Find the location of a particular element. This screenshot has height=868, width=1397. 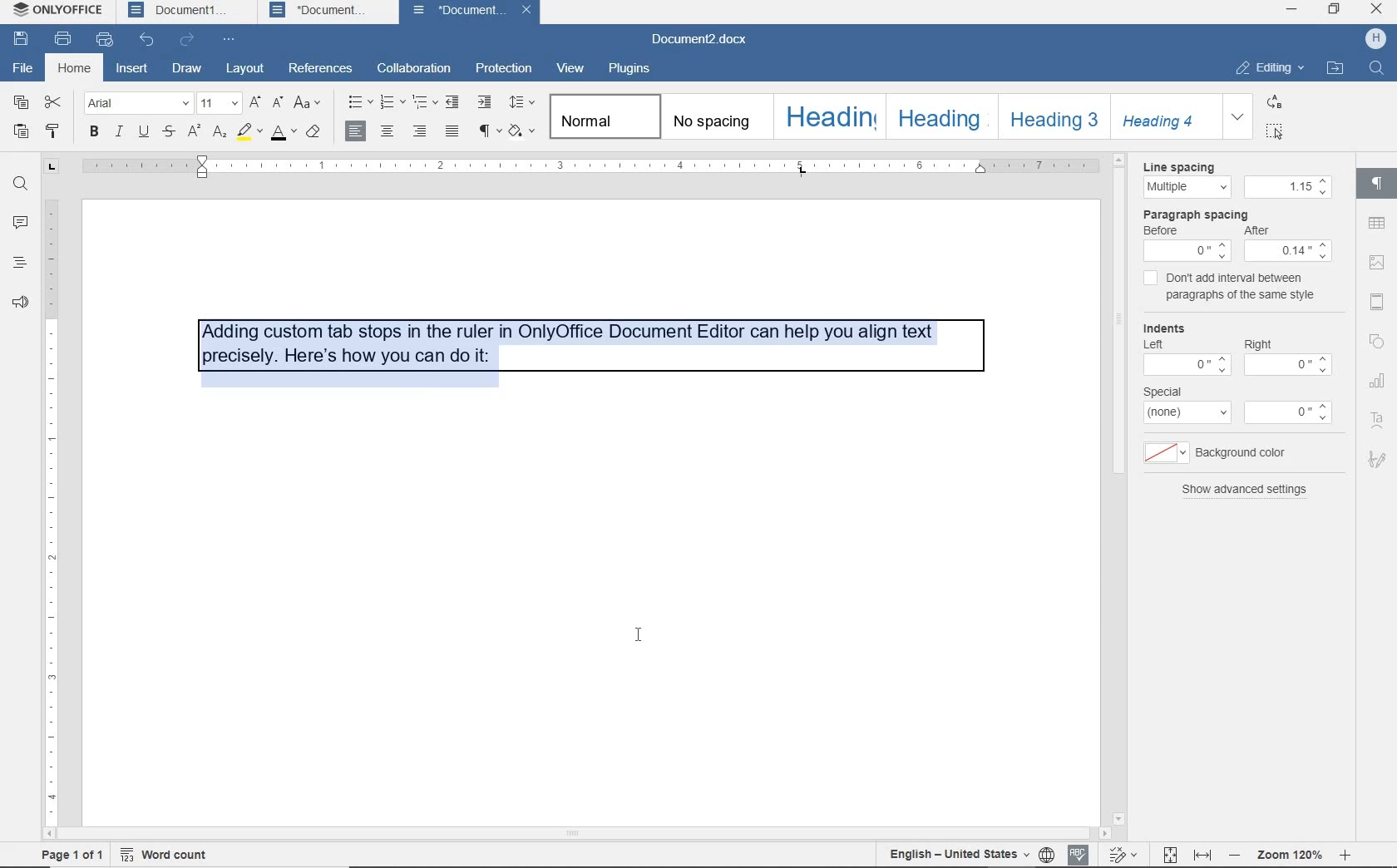

numbering is located at coordinates (390, 103).